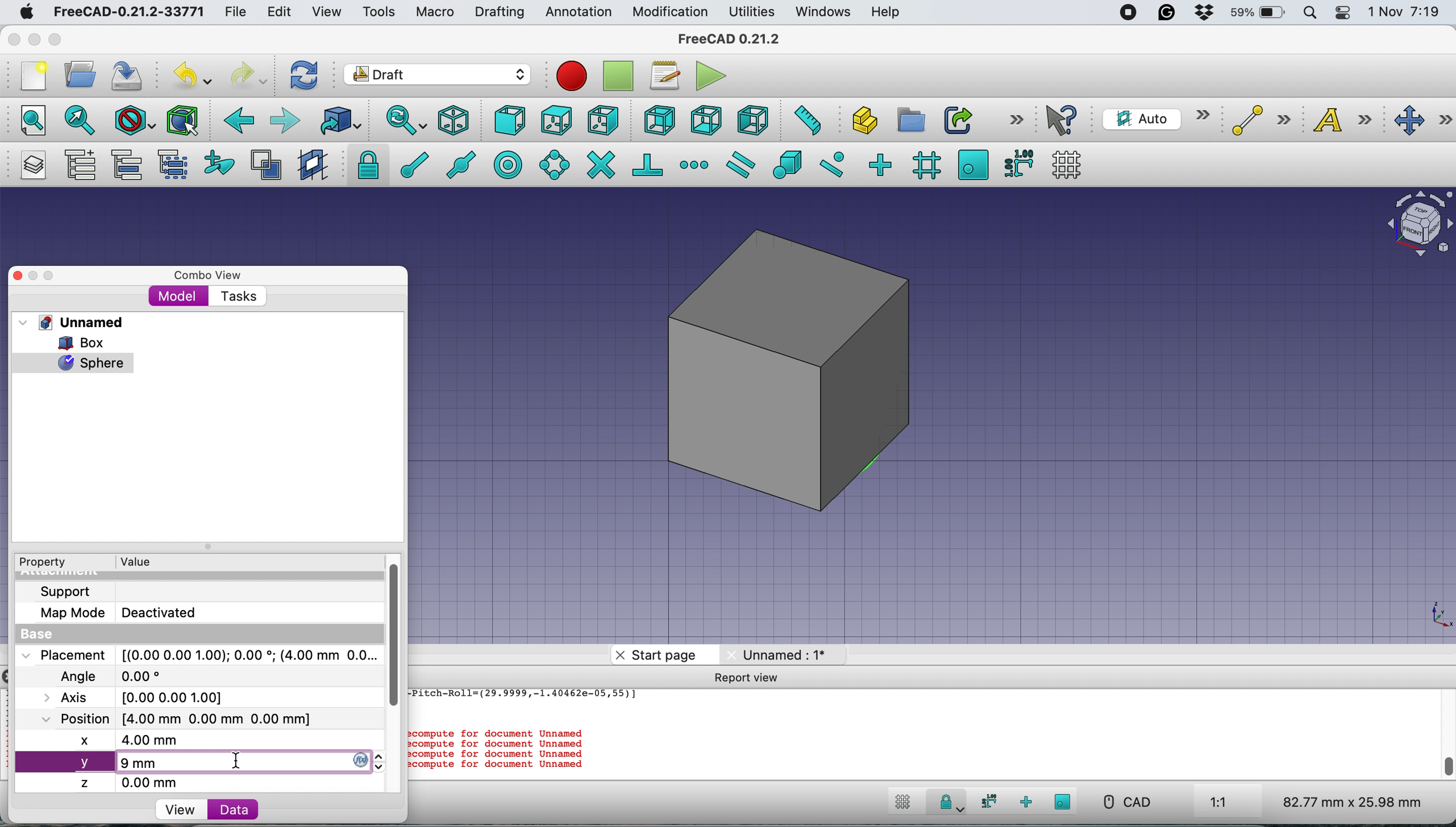 The width and height of the screenshot is (1456, 827). Describe the element at coordinates (268, 165) in the screenshot. I see `toggle normal wireframe display` at that location.